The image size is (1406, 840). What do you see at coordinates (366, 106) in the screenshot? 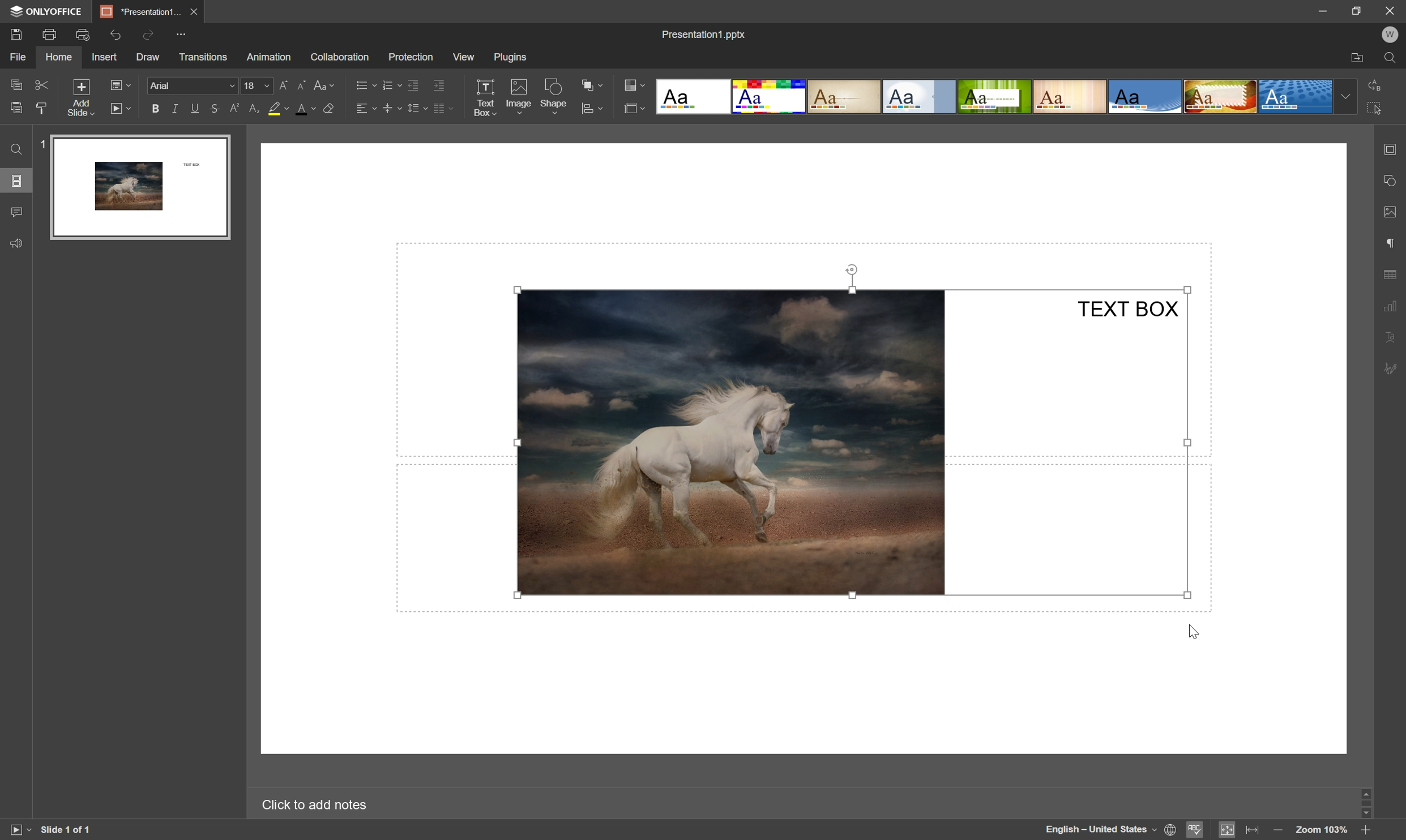
I see `horizontal align` at bounding box center [366, 106].